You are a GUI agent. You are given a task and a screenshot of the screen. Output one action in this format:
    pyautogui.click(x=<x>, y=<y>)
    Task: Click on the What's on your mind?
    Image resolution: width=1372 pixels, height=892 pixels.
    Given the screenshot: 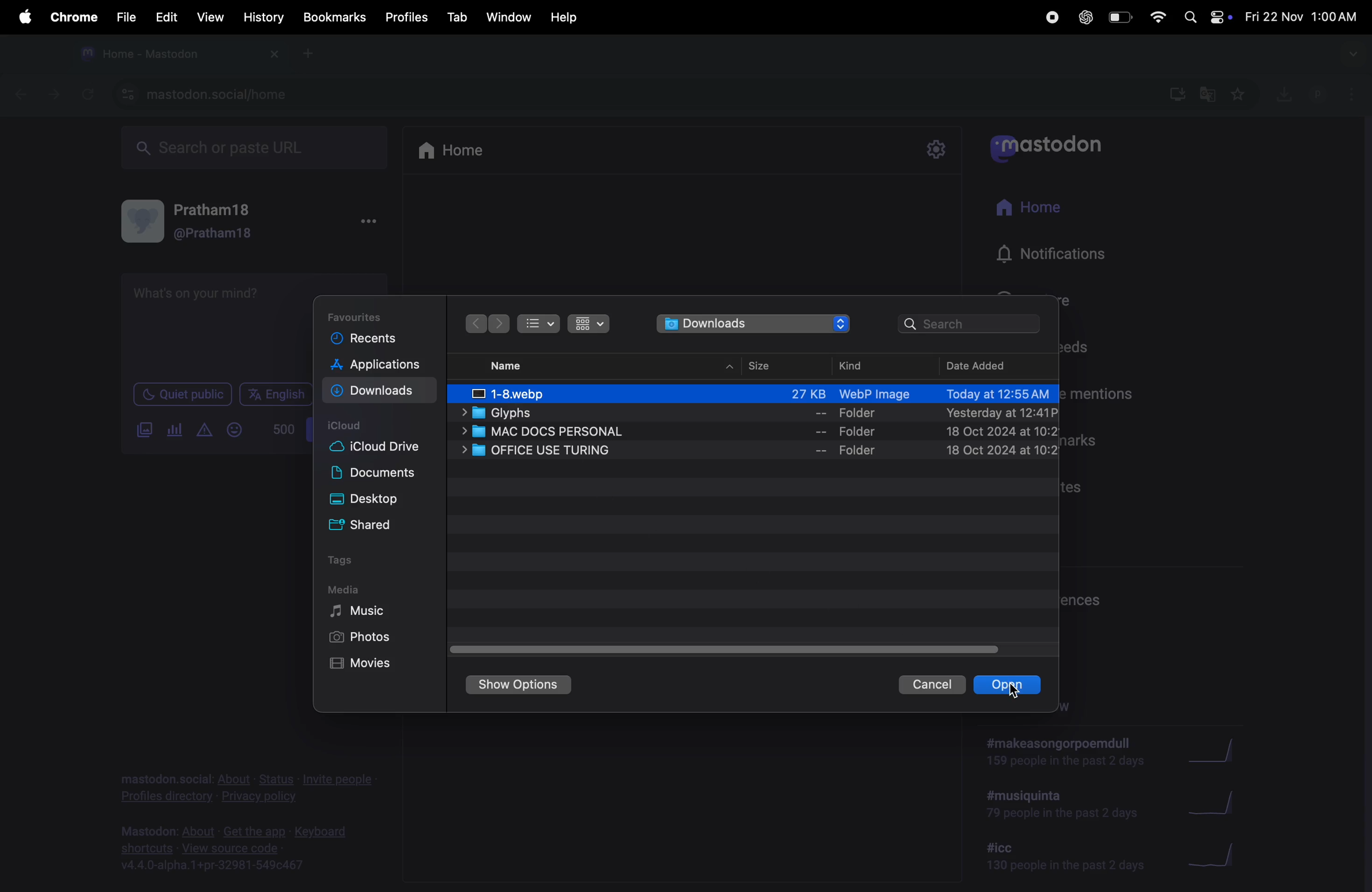 What is the action you would take?
    pyautogui.click(x=199, y=297)
    